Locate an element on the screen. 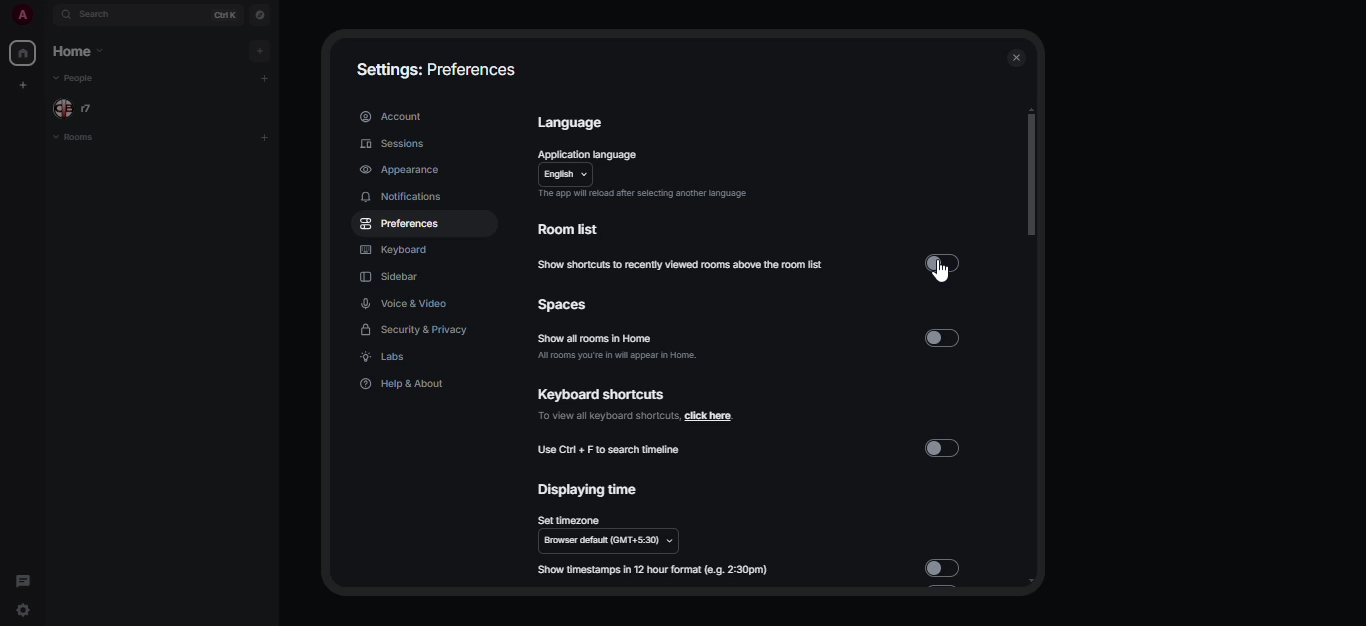 The image size is (1366, 626). disabled is located at coordinates (945, 447).